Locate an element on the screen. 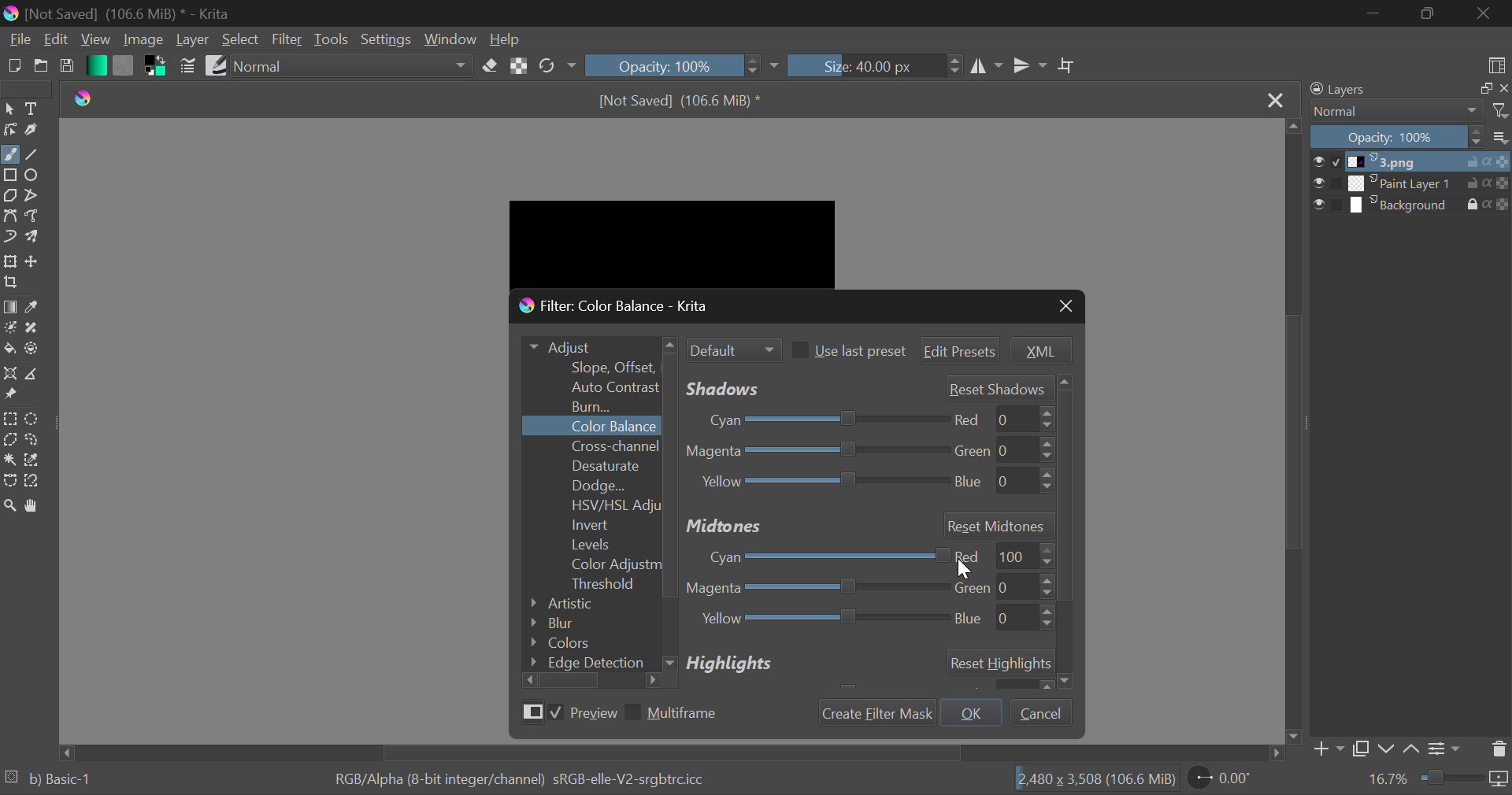  Image is located at coordinates (140, 39).